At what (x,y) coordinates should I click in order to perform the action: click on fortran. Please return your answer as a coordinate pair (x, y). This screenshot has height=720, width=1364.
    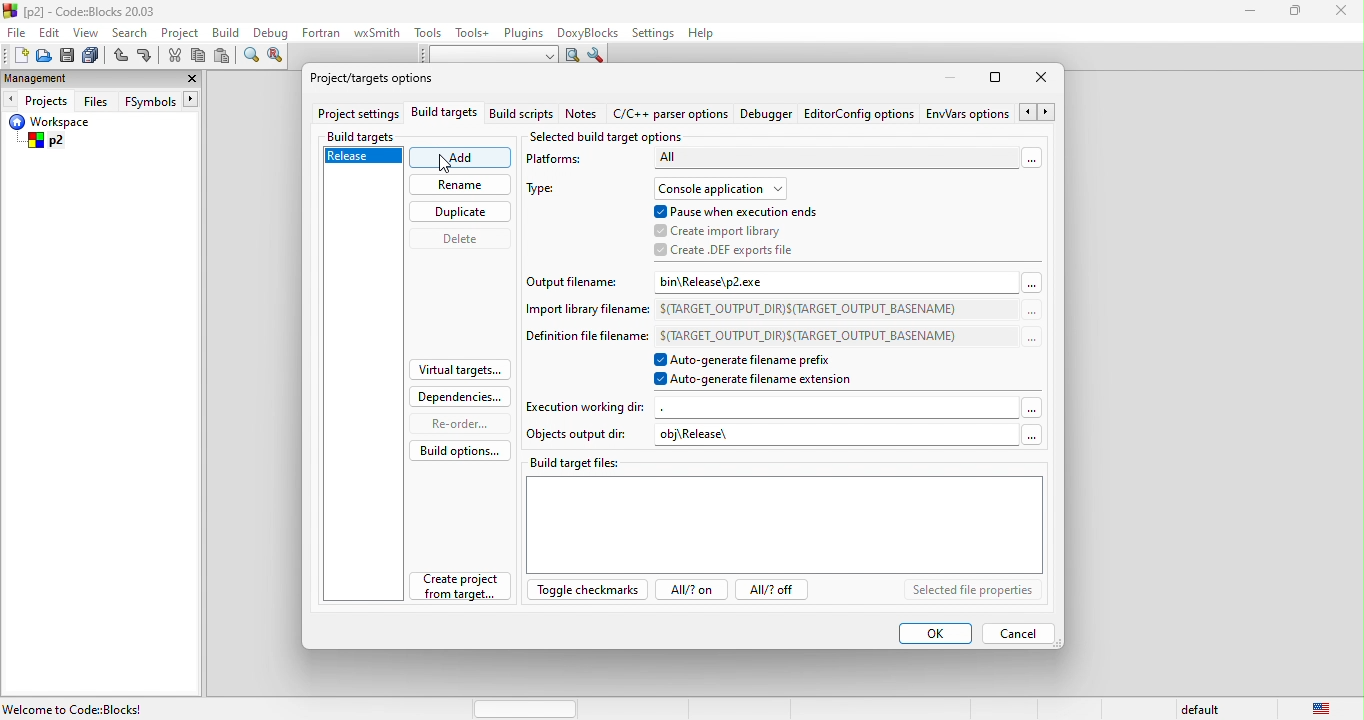
    Looking at the image, I should click on (323, 32).